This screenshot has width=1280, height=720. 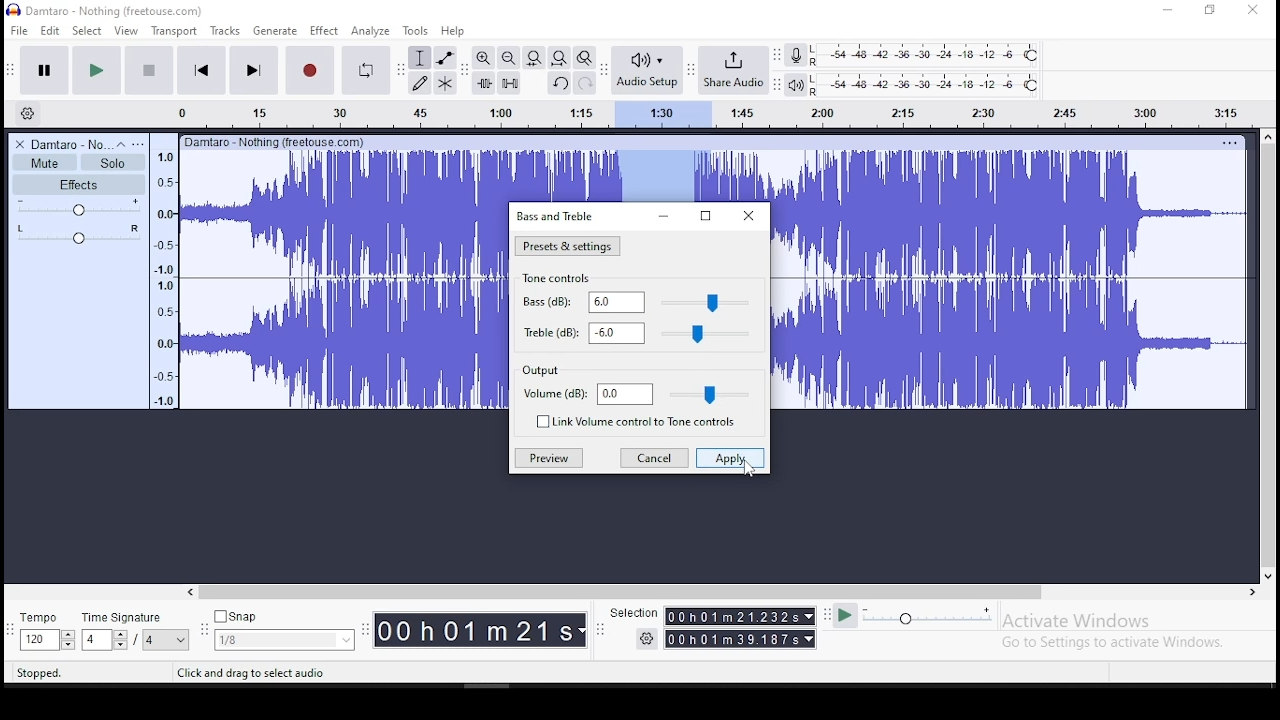 I want to click on envelope tool, so click(x=444, y=57).